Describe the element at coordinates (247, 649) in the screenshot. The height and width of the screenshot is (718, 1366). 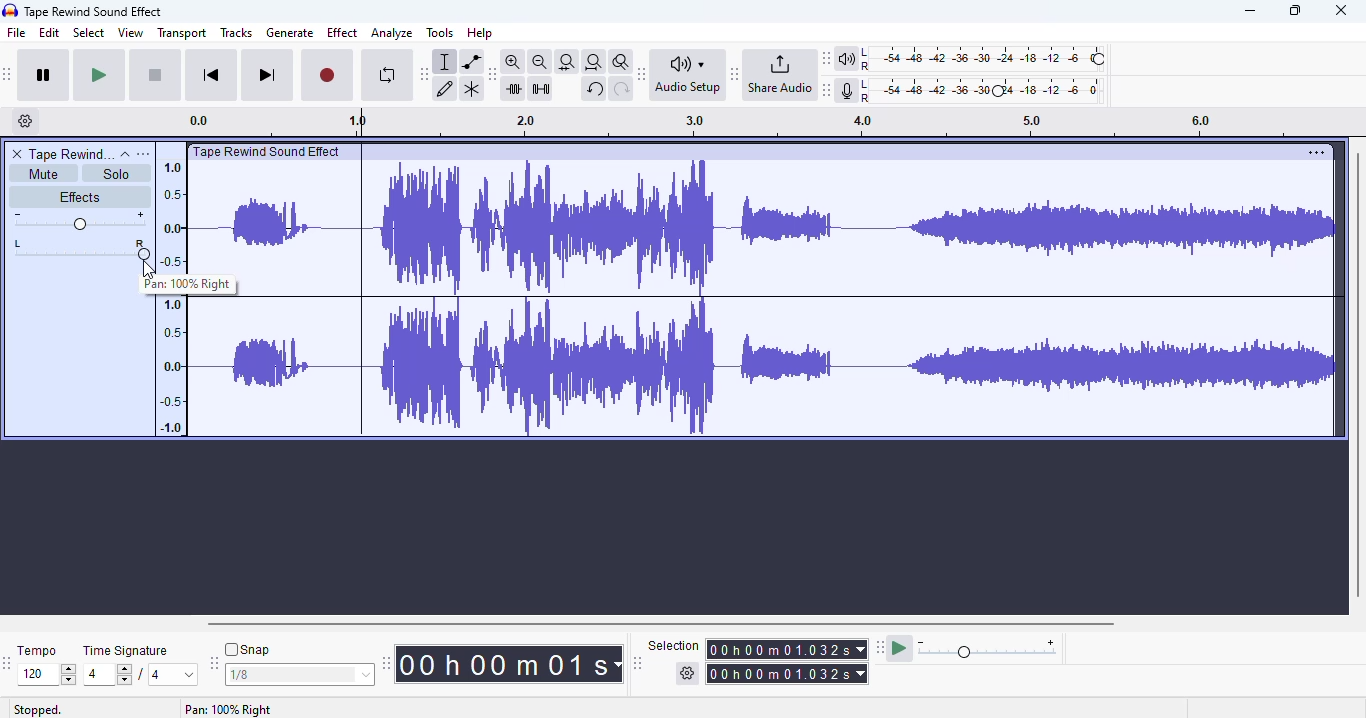
I see `snap` at that location.